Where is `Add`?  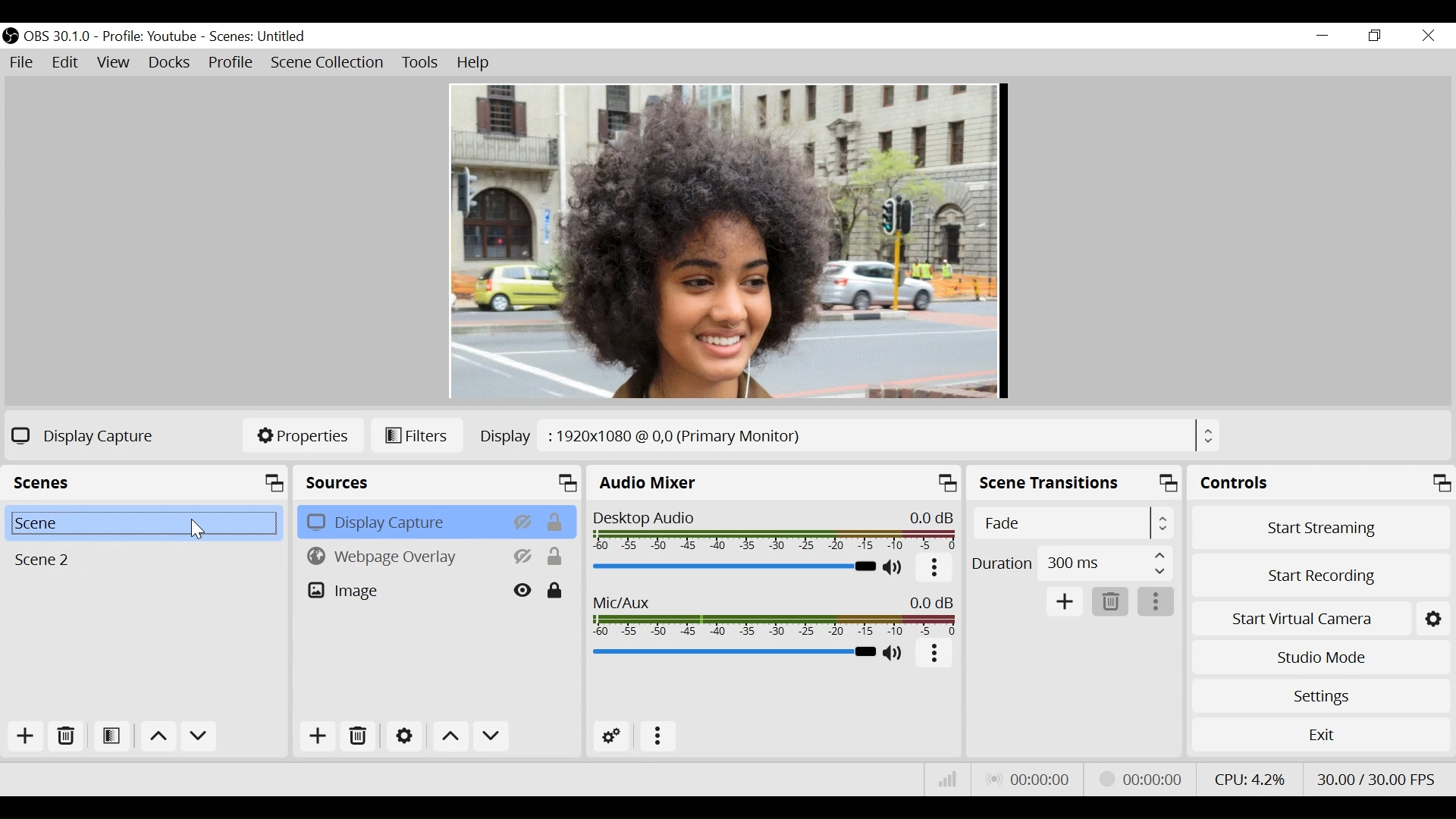 Add is located at coordinates (319, 735).